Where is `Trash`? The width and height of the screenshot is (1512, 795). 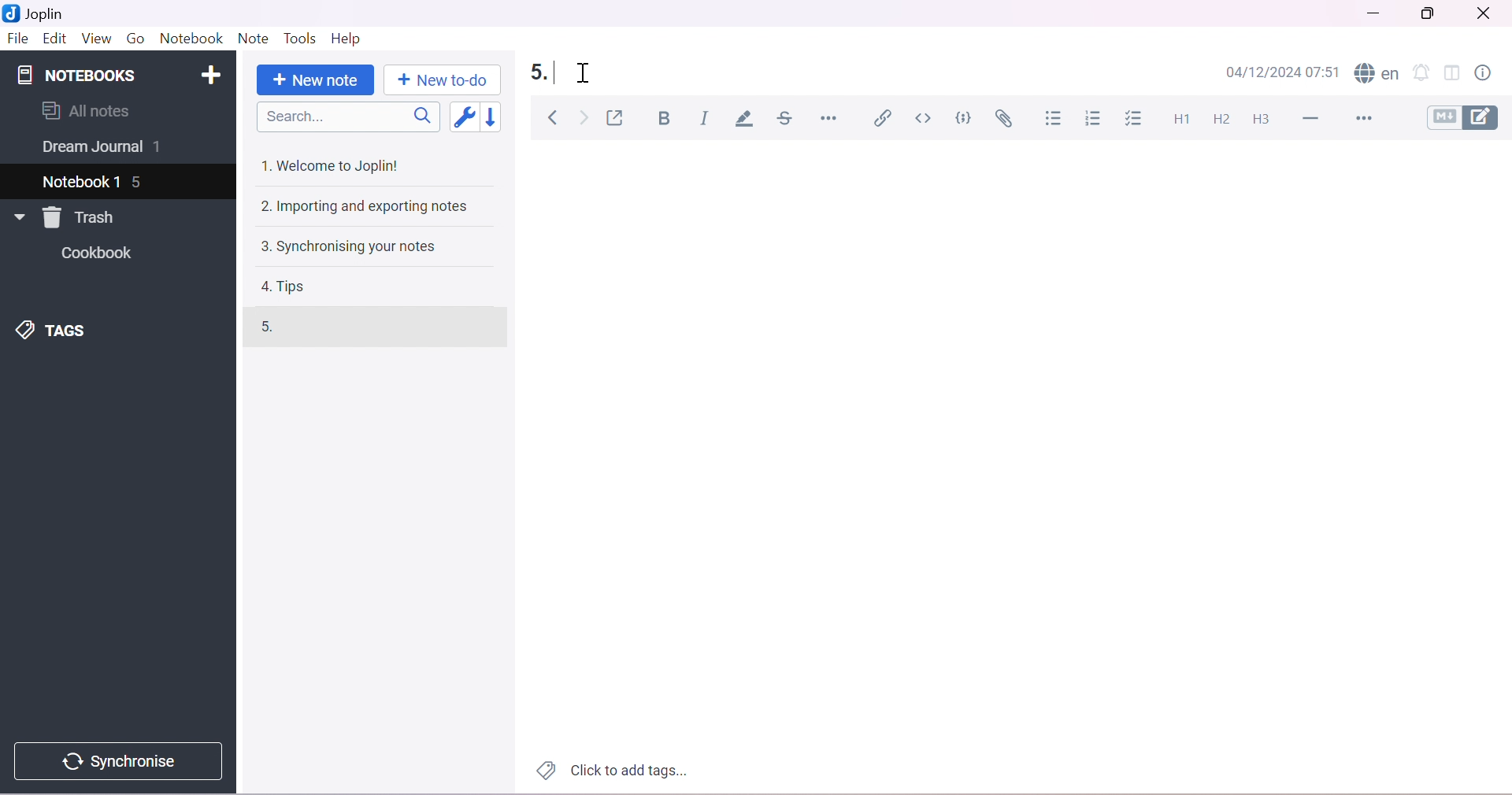 Trash is located at coordinates (83, 217).